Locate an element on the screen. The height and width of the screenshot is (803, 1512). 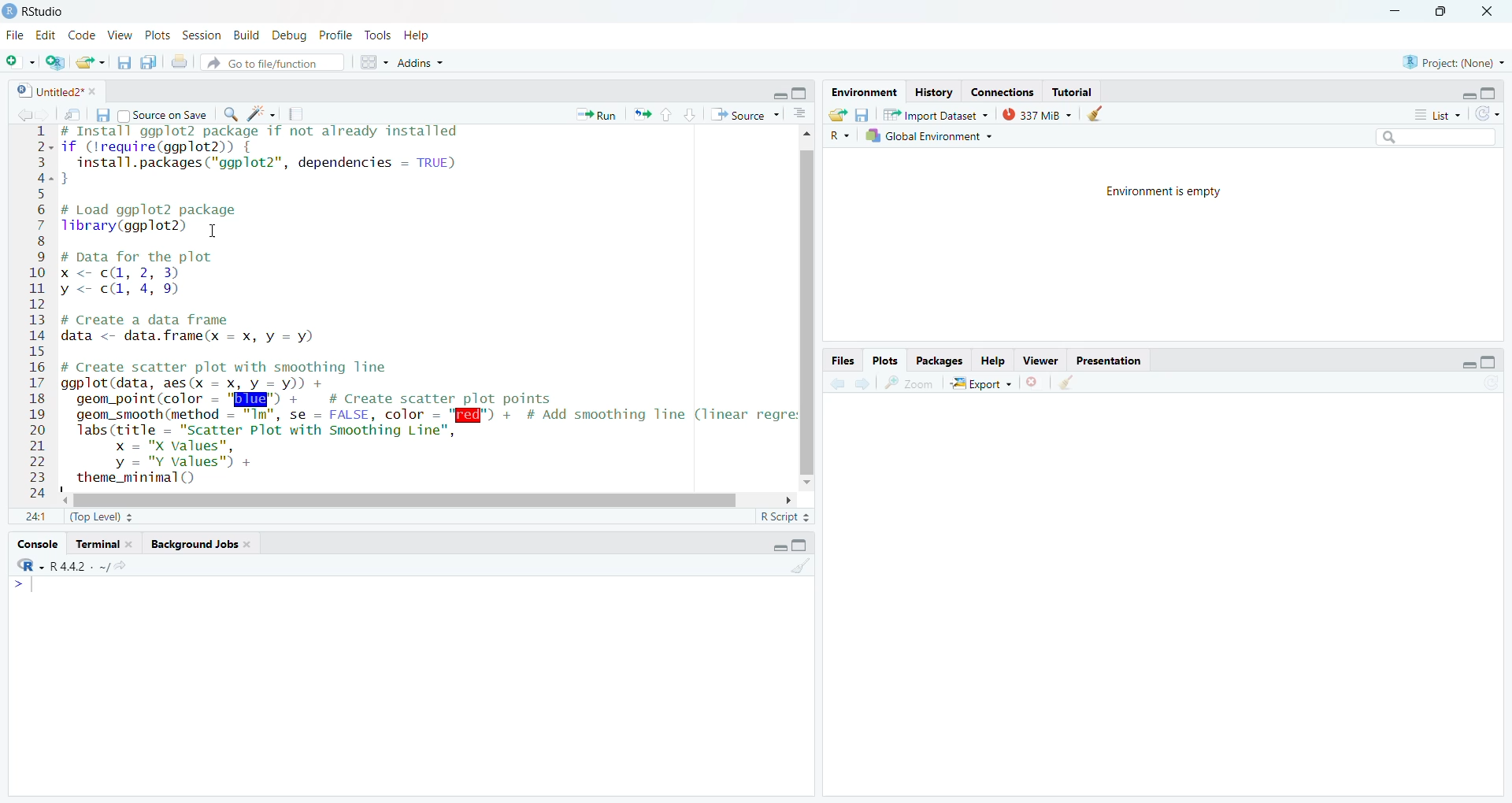
show in new window is located at coordinates (72, 114).